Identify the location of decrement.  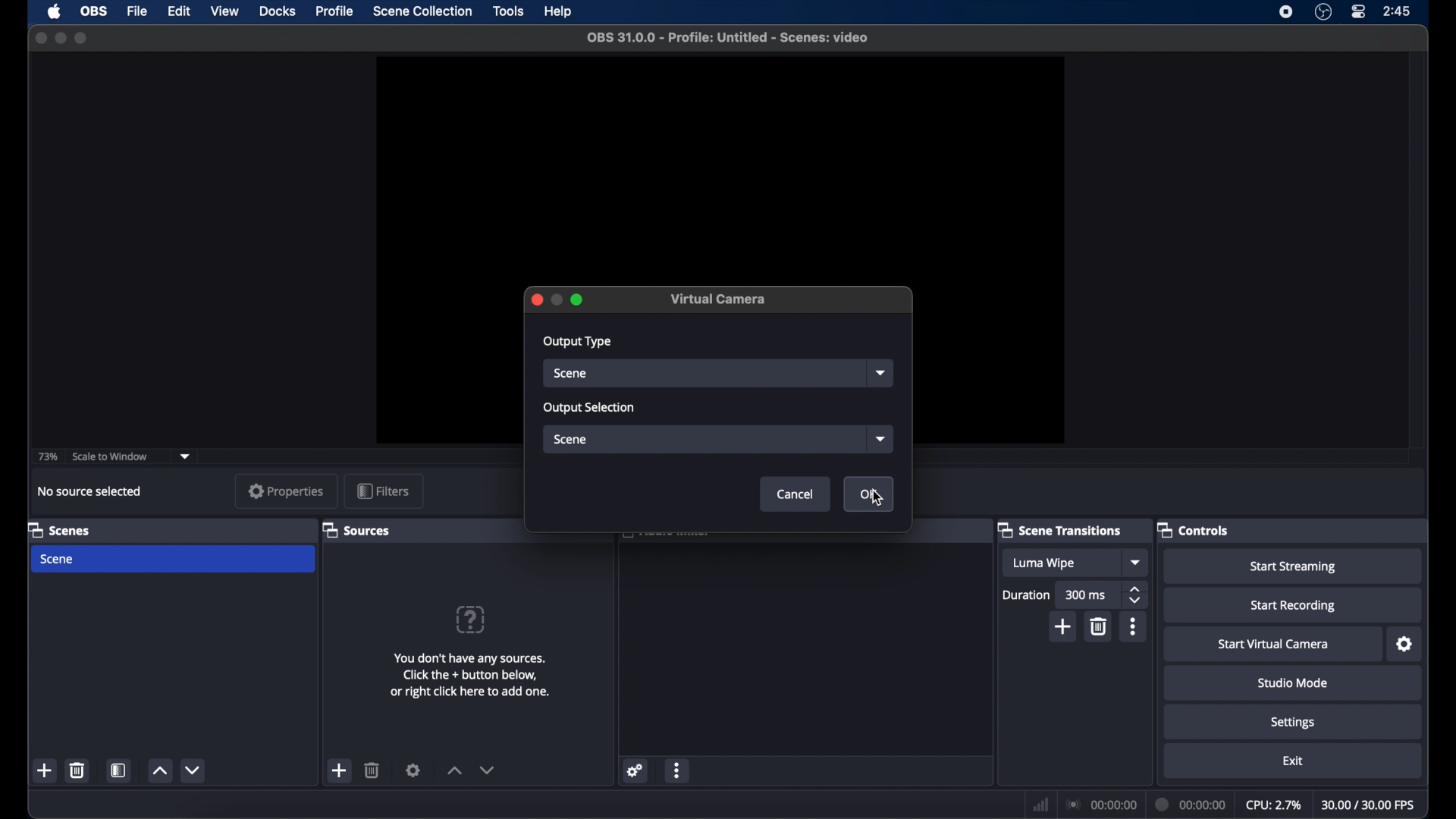
(193, 770).